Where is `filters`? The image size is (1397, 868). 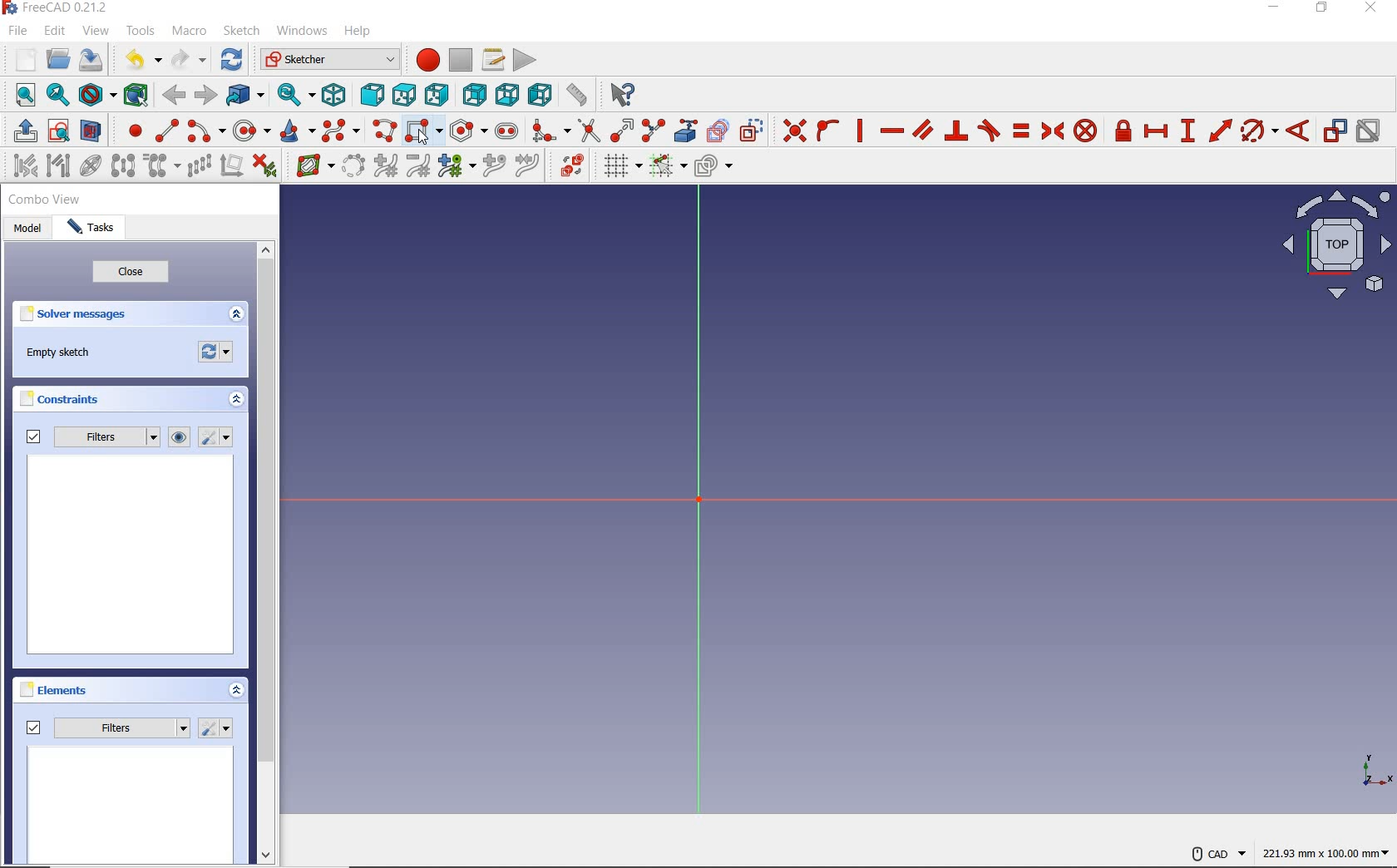 filters is located at coordinates (108, 725).